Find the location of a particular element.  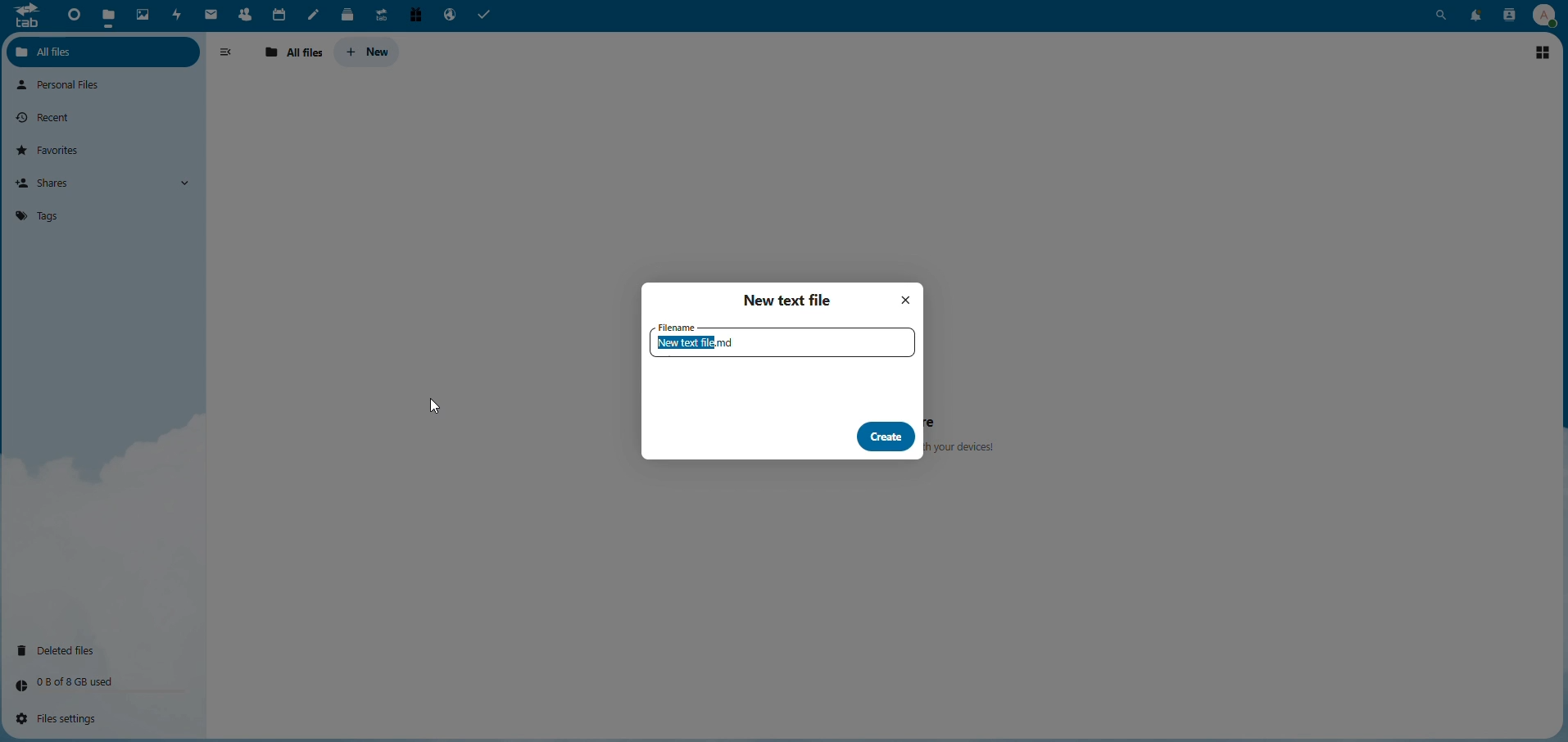

Favorites is located at coordinates (55, 149).